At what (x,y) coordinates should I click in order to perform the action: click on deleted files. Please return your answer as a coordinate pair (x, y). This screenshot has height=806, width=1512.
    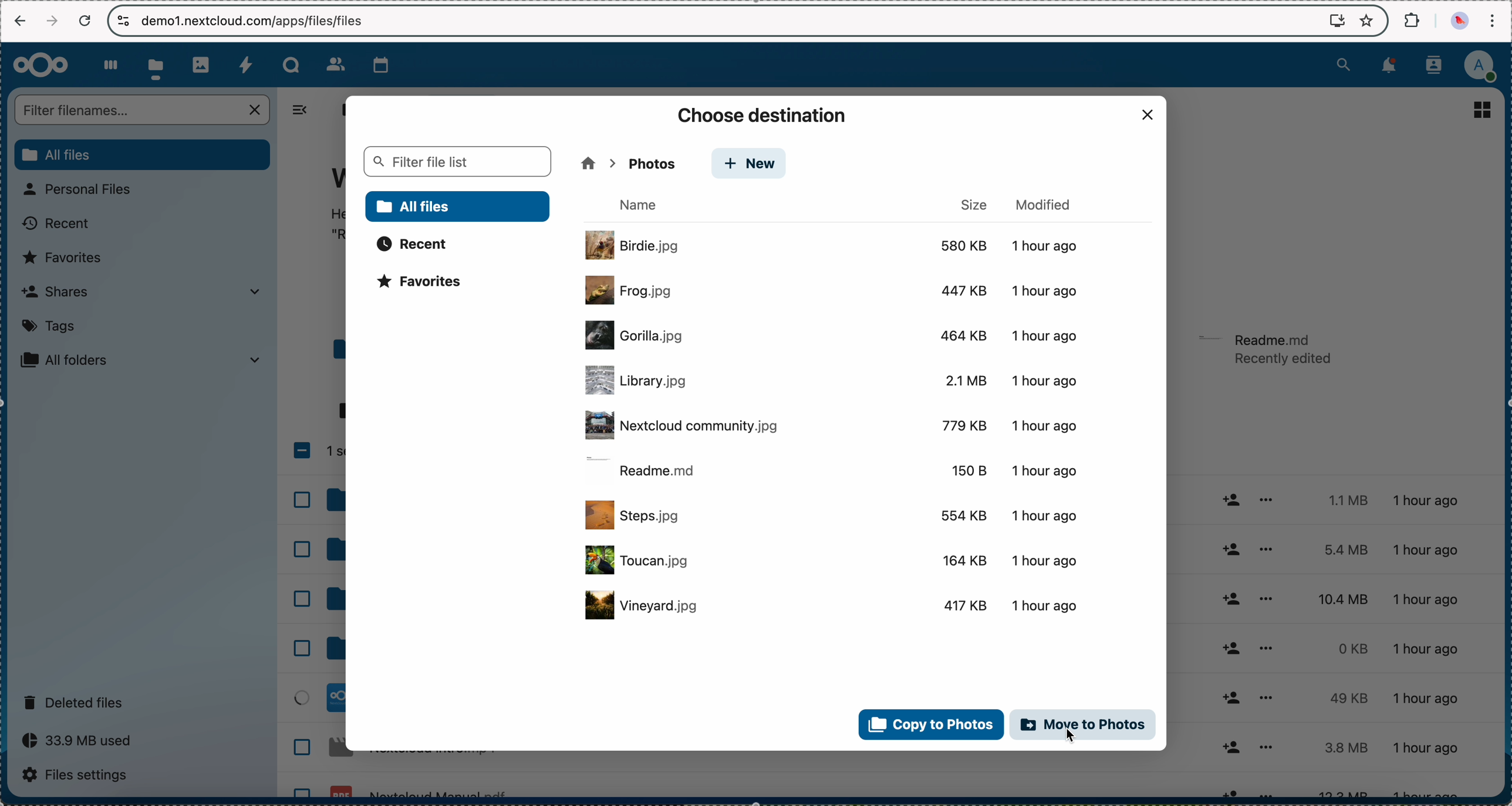
    Looking at the image, I should click on (78, 701).